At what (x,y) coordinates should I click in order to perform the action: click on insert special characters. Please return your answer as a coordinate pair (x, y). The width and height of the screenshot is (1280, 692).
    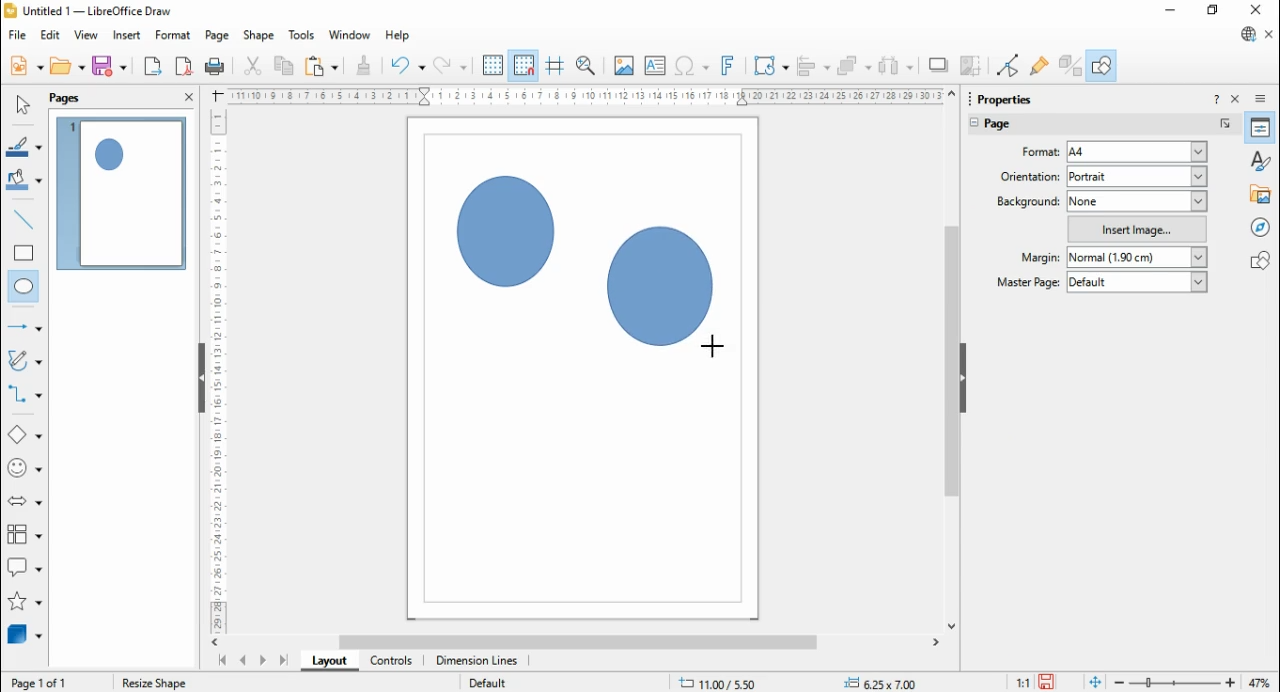
    Looking at the image, I should click on (693, 65).